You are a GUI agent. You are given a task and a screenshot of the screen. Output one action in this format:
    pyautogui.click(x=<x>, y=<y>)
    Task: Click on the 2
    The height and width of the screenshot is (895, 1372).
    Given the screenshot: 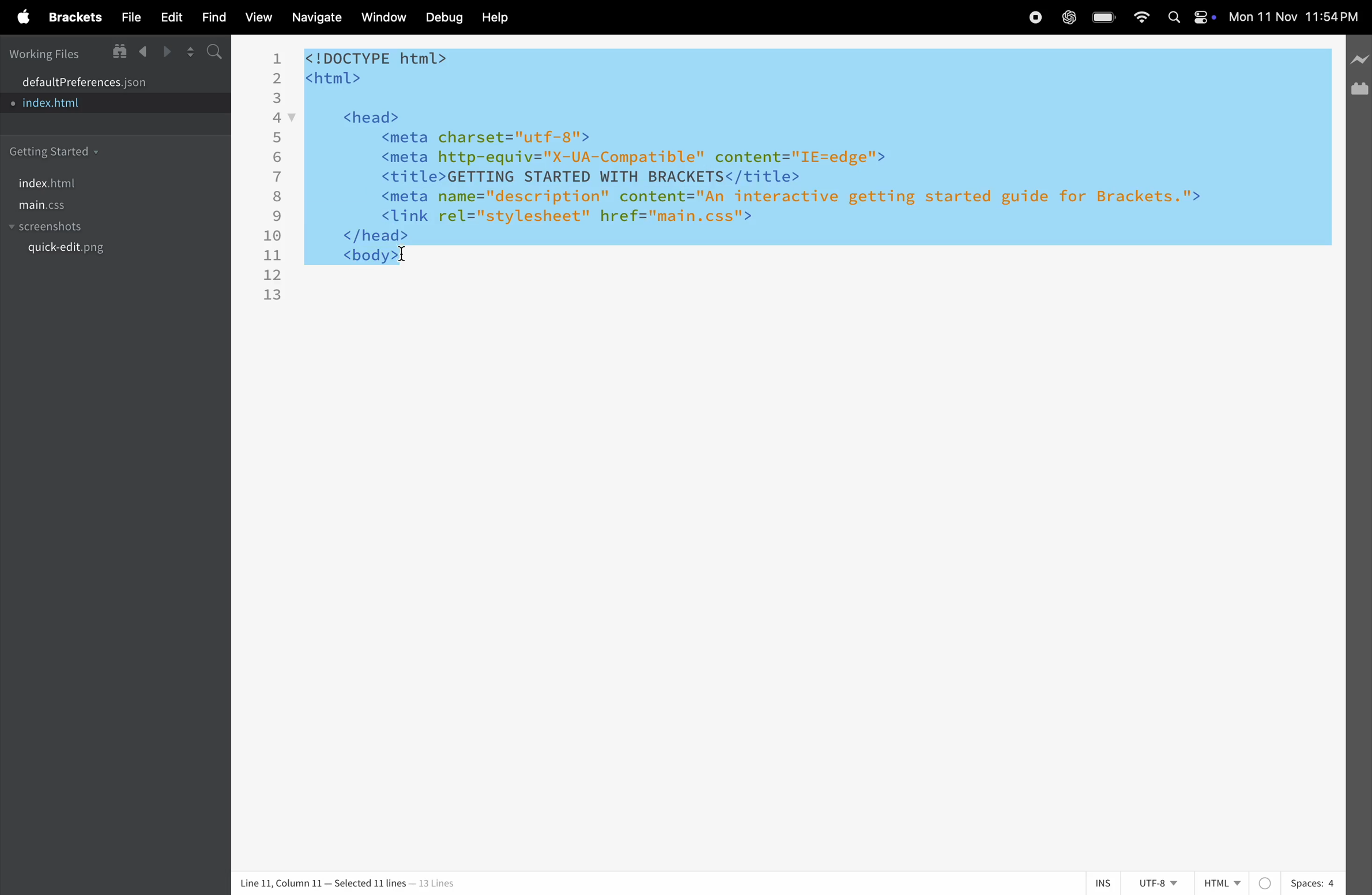 What is the action you would take?
    pyautogui.click(x=278, y=78)
    